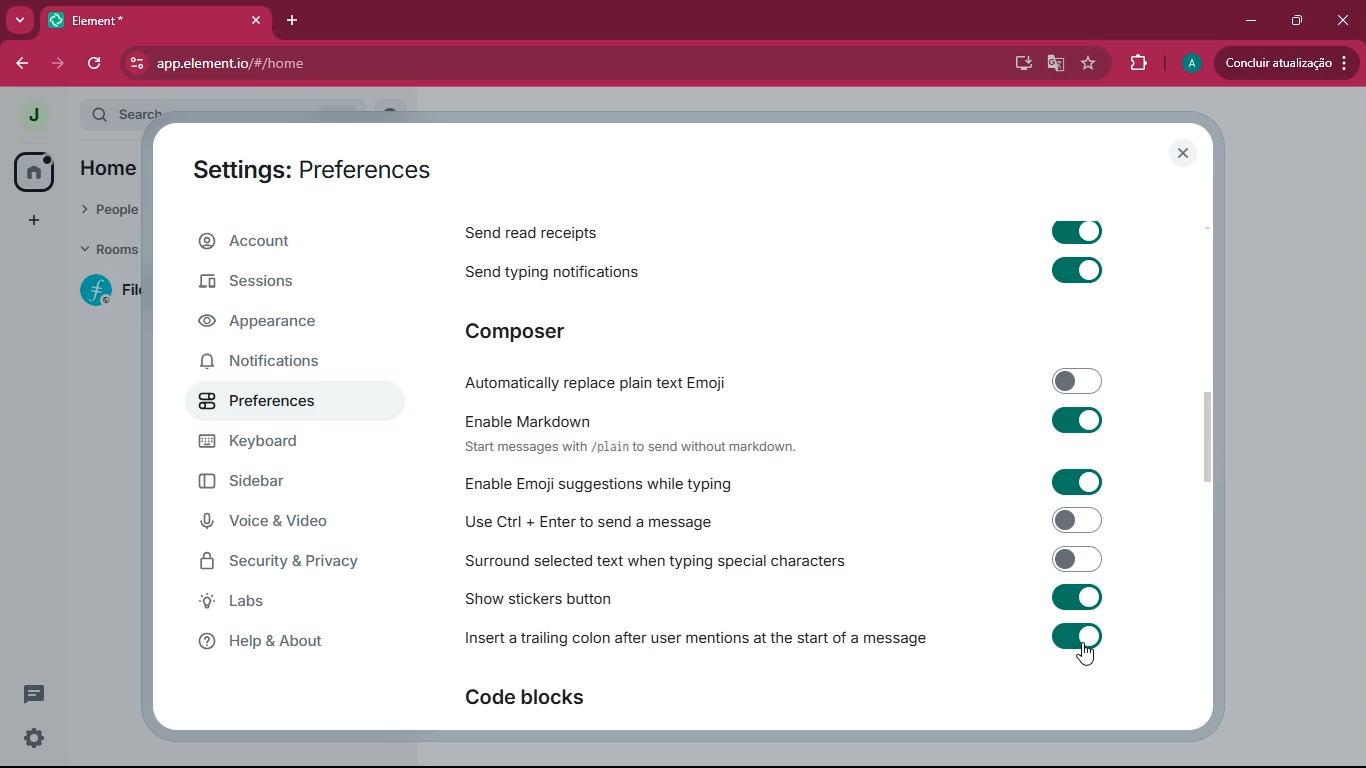 The width and height of the screenshot is (1366, 768). What do you see at coordinates (295, 643) in the screenshot?
I see `help` at bounding box center [295, 643].